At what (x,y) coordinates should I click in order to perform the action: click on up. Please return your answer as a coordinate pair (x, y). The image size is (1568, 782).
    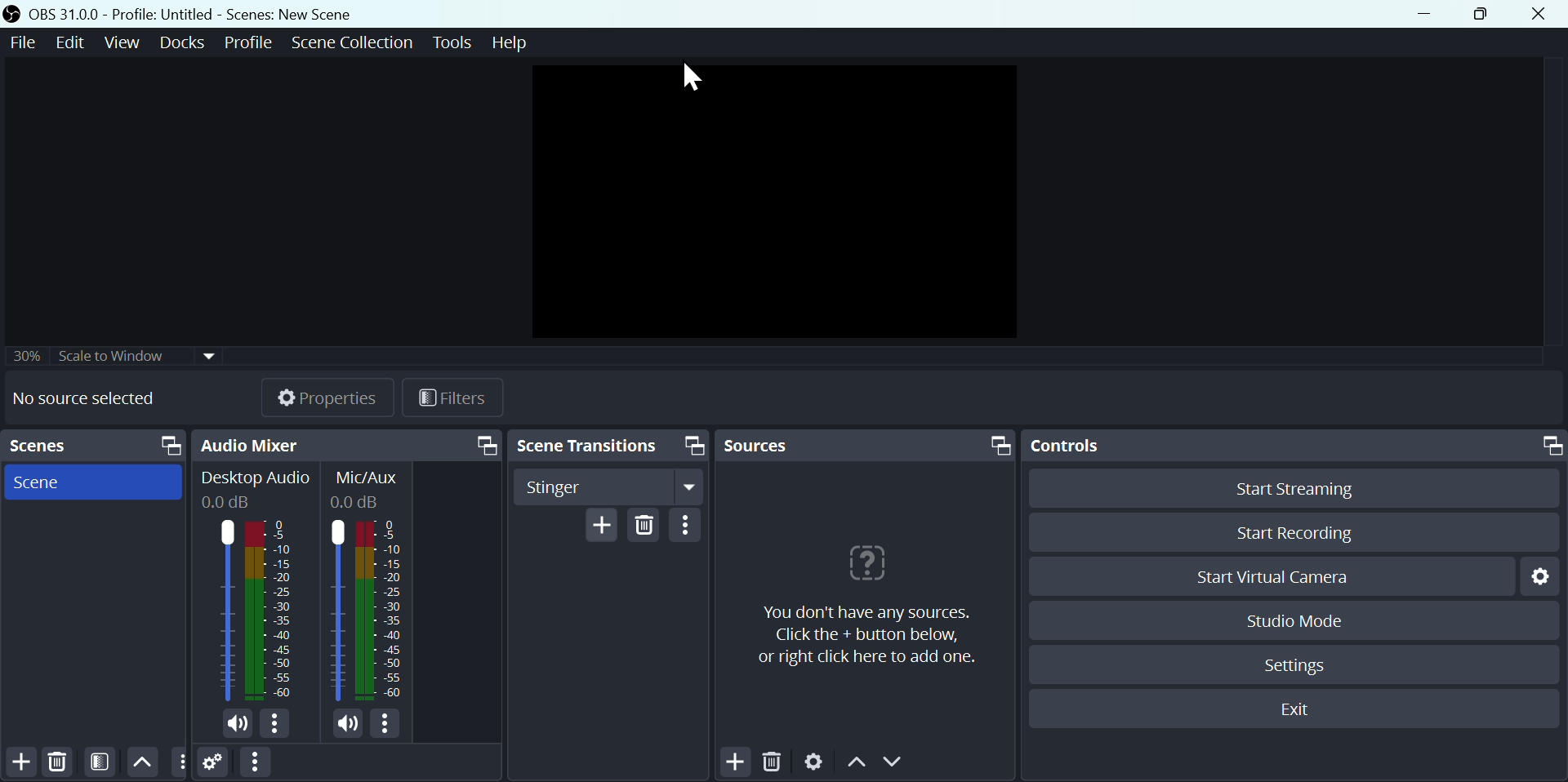
    Looking at the image, I should click on (857, 766).